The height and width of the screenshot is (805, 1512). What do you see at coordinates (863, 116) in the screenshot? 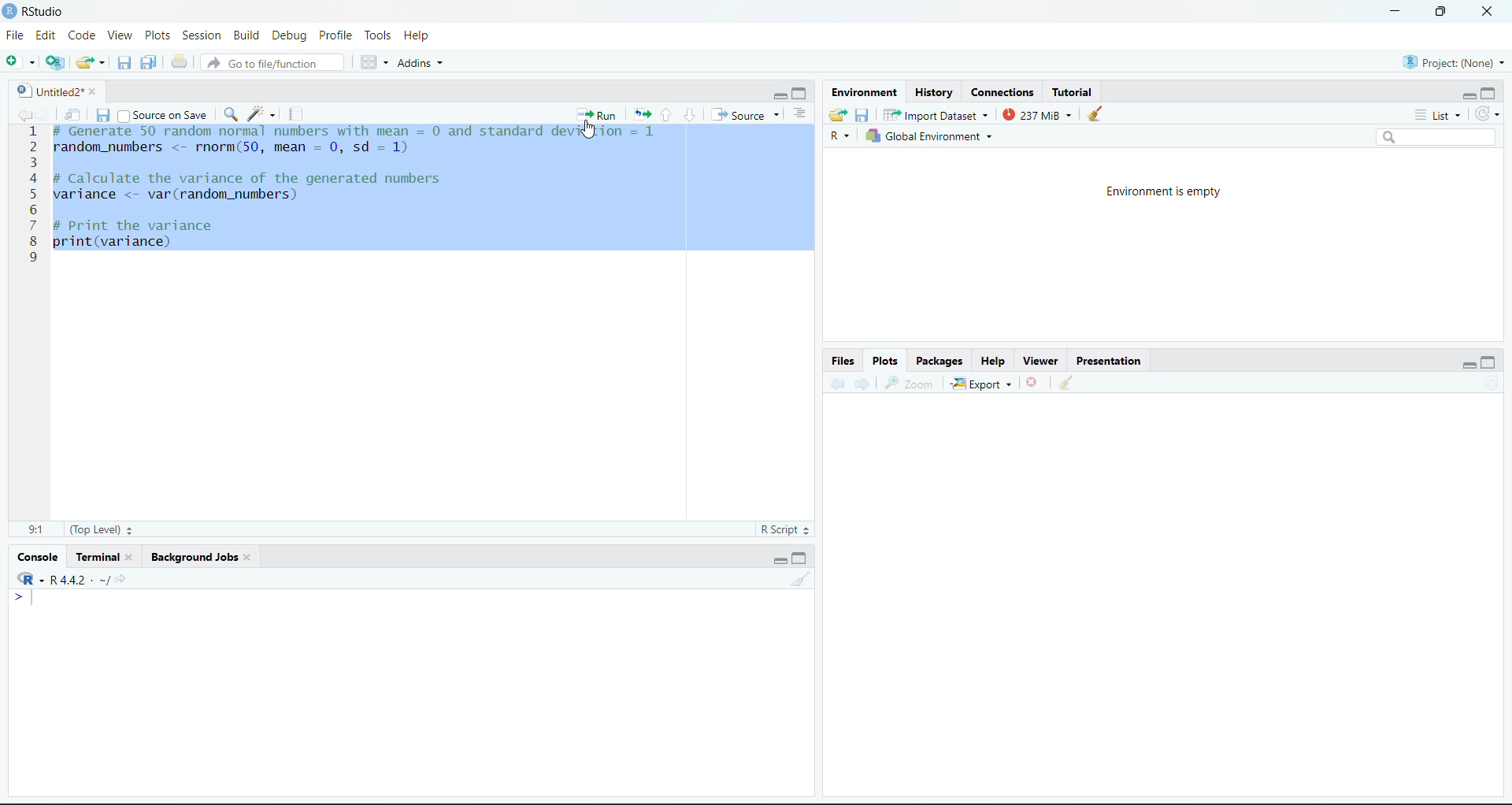
I see `save` at bounding box center [863, 116].